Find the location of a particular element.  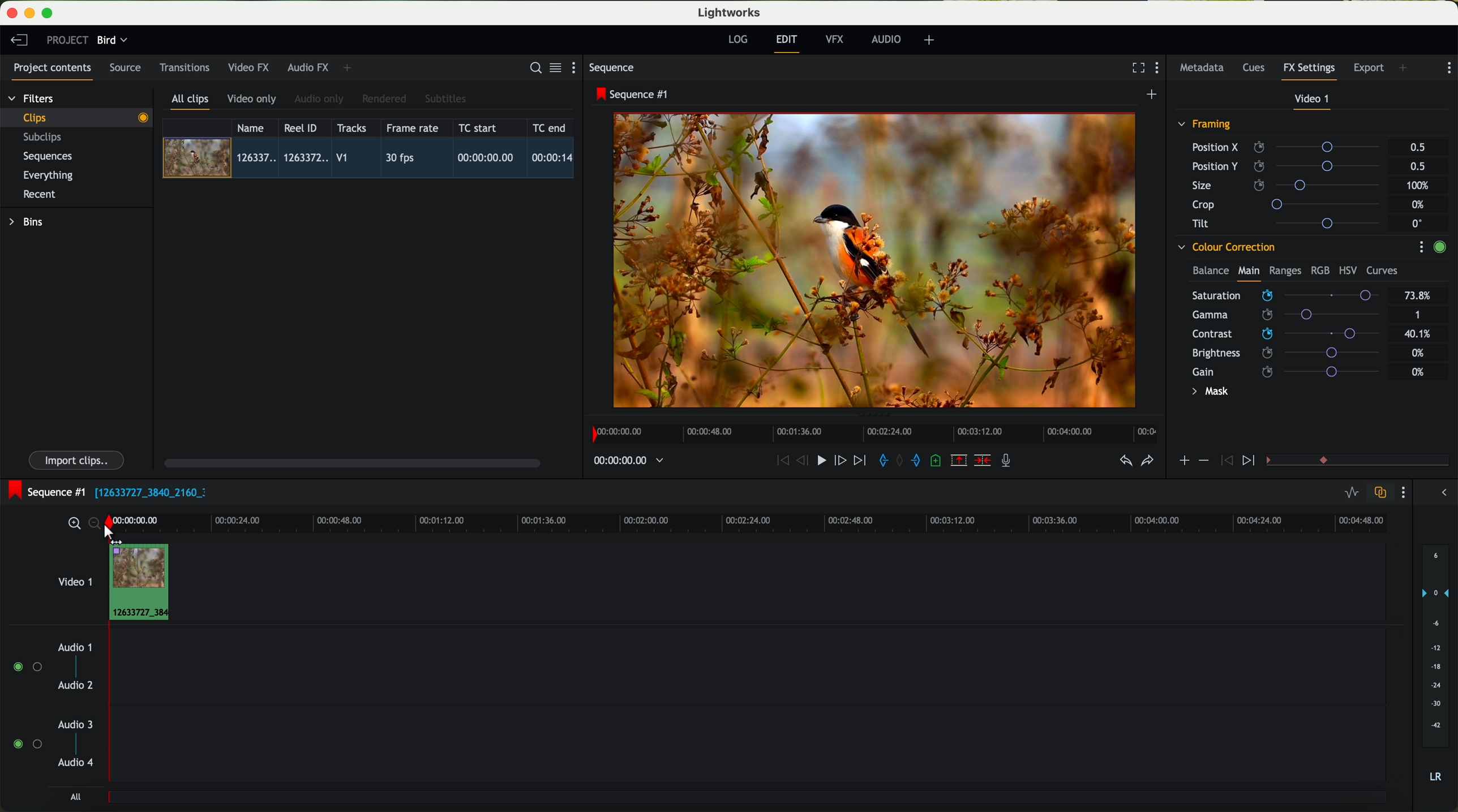

mask is located at coordinates (1208, 393).